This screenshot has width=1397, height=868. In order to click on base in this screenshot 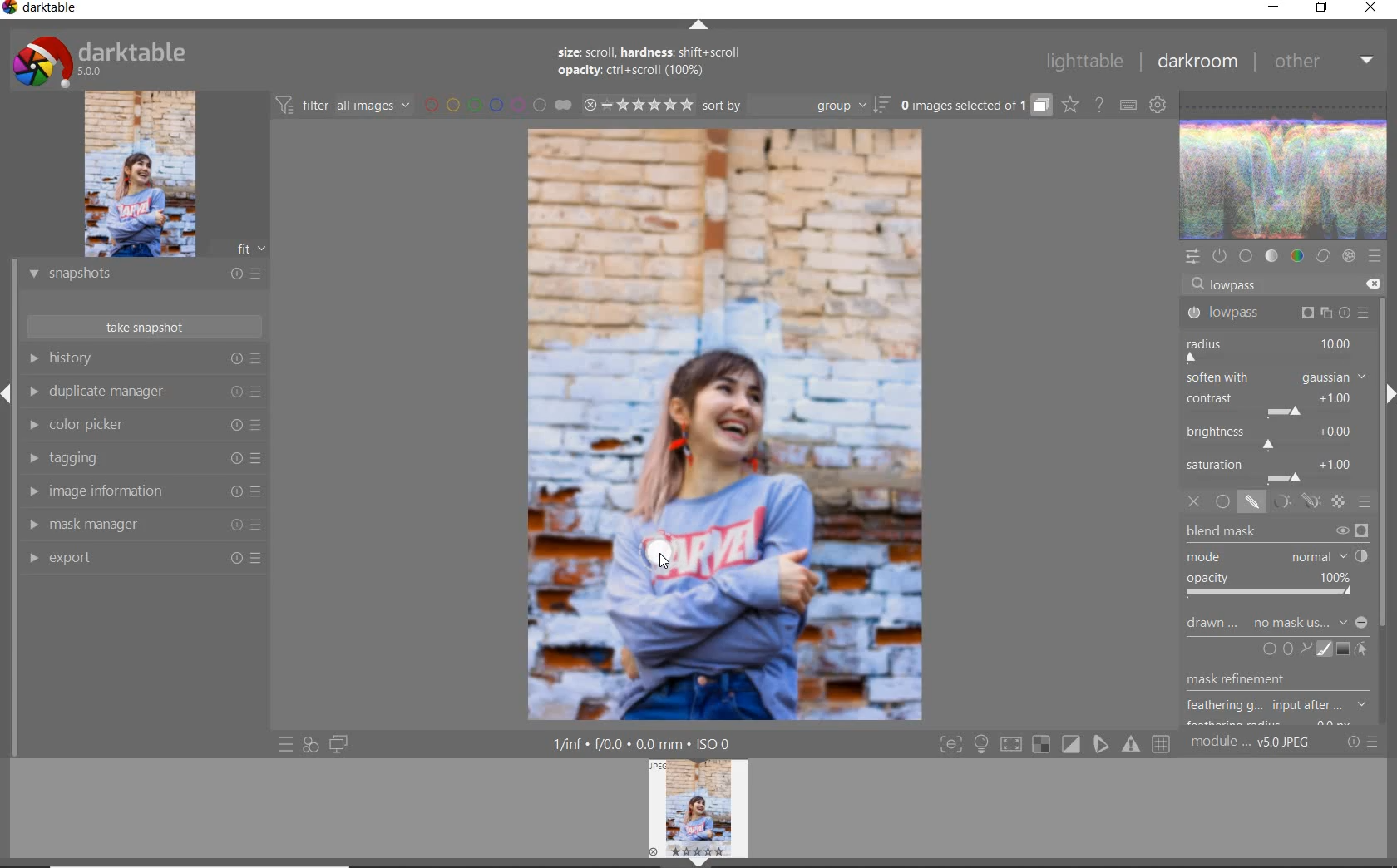, I will do `click(1246, 256)`.